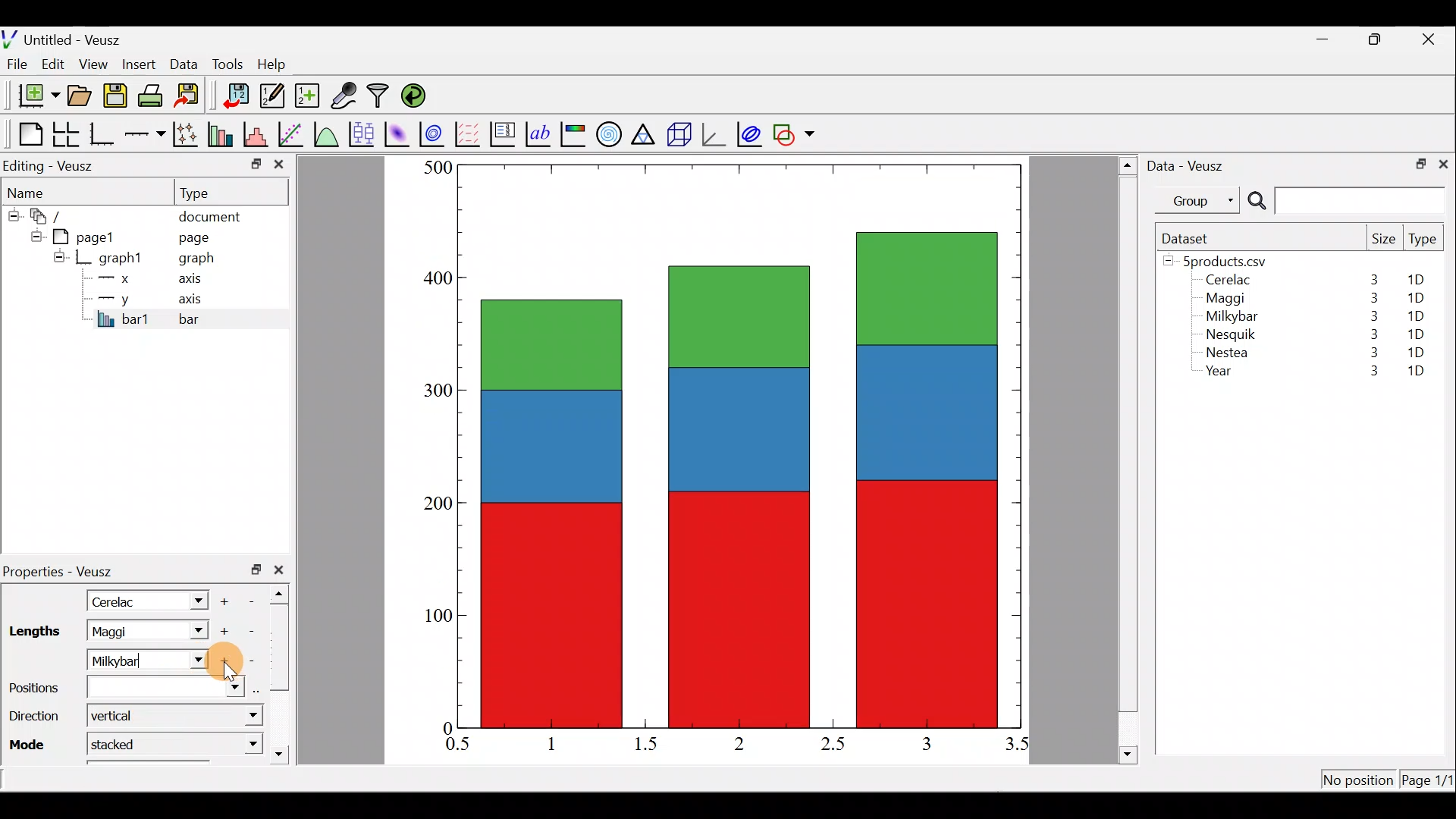  What do you see at coordinates (59, 256) in the screenshot?
I see `hide` at bounding box center [59, 256].